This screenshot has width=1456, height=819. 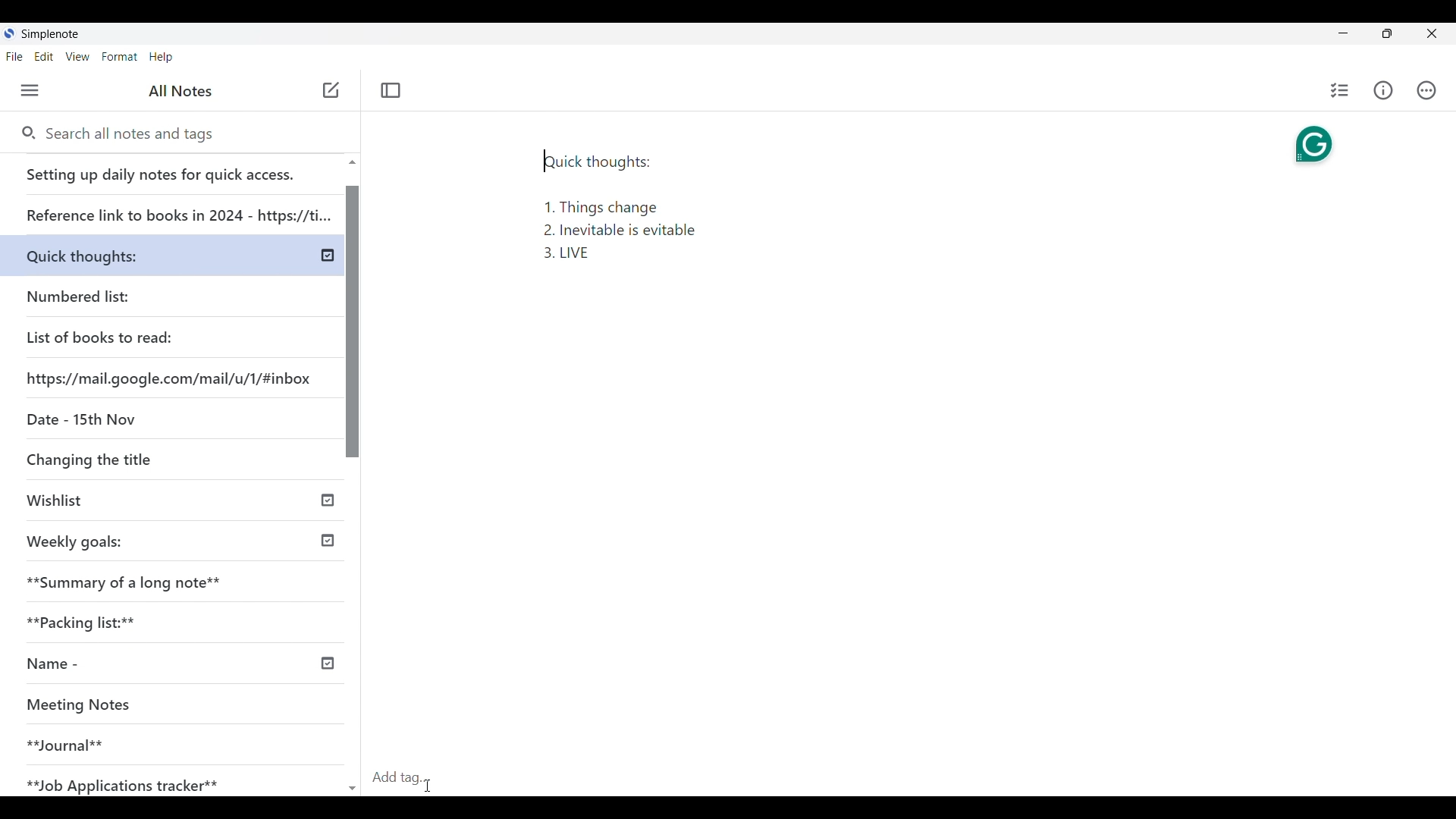 I want to click on Setting up daily notes, so click(x=174, y=170).